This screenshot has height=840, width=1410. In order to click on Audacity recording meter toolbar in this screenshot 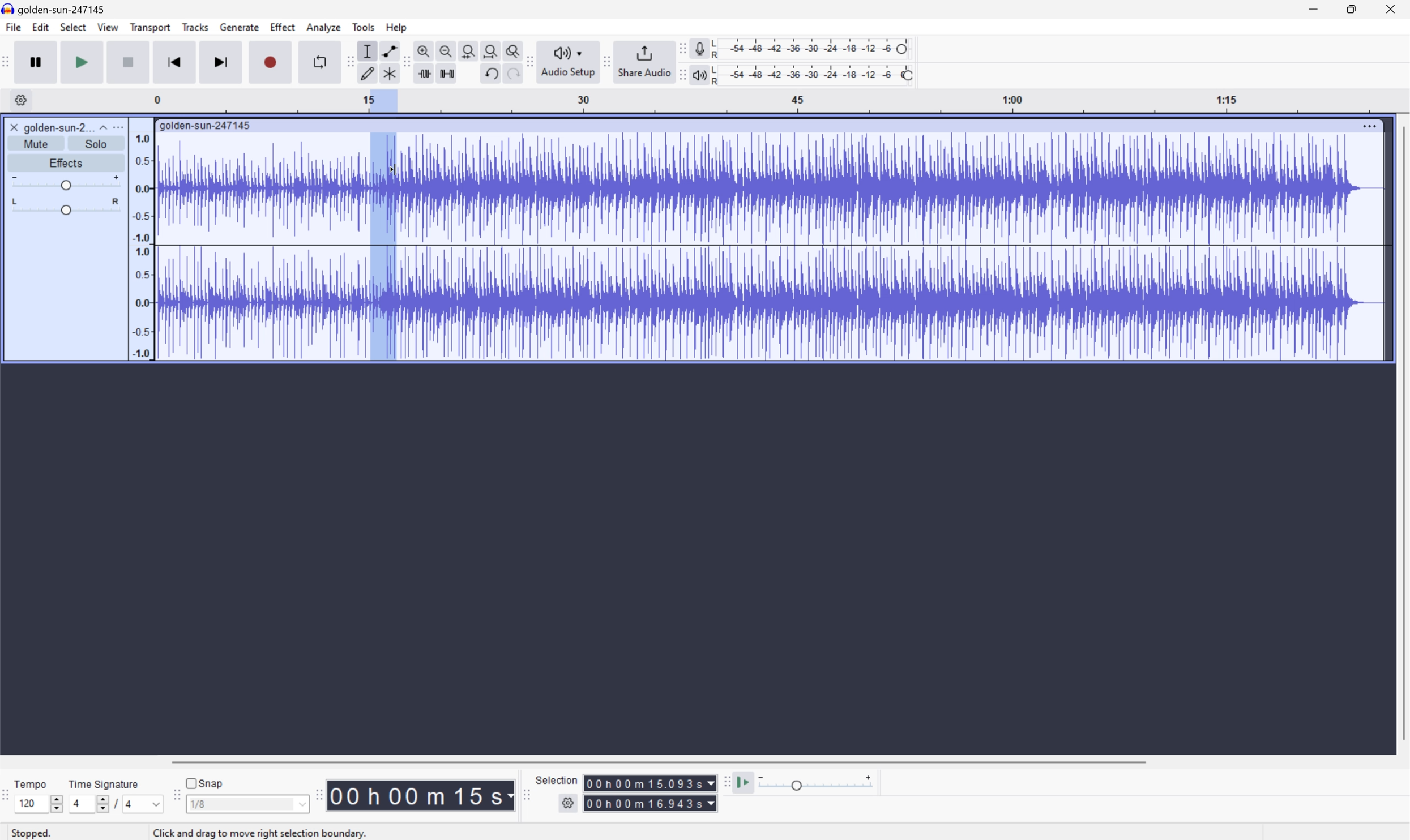, I will do `click(681, 48)`.